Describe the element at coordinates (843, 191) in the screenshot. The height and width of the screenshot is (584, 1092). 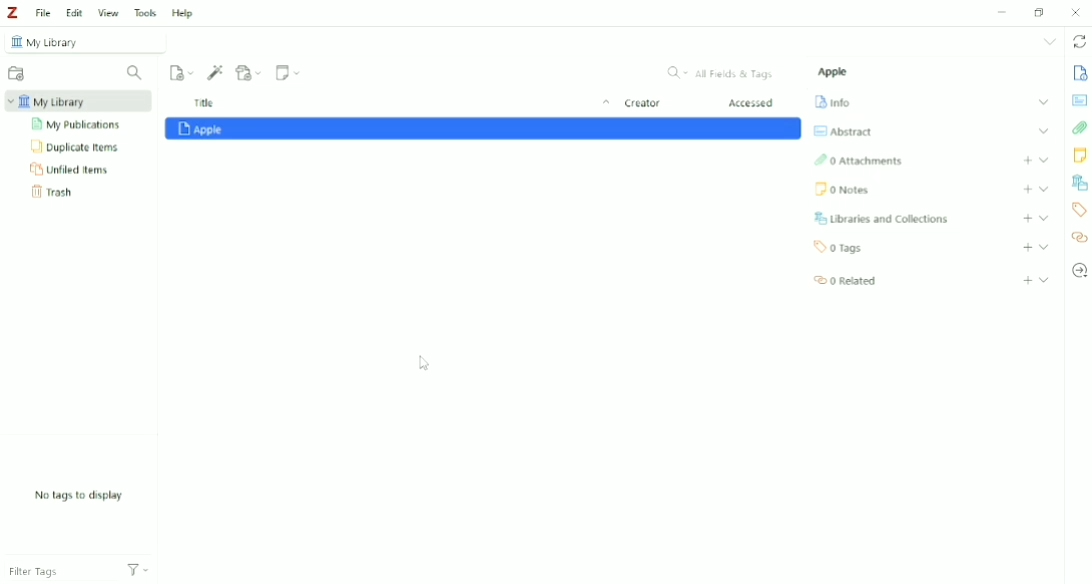
I see `Notes` at that location.